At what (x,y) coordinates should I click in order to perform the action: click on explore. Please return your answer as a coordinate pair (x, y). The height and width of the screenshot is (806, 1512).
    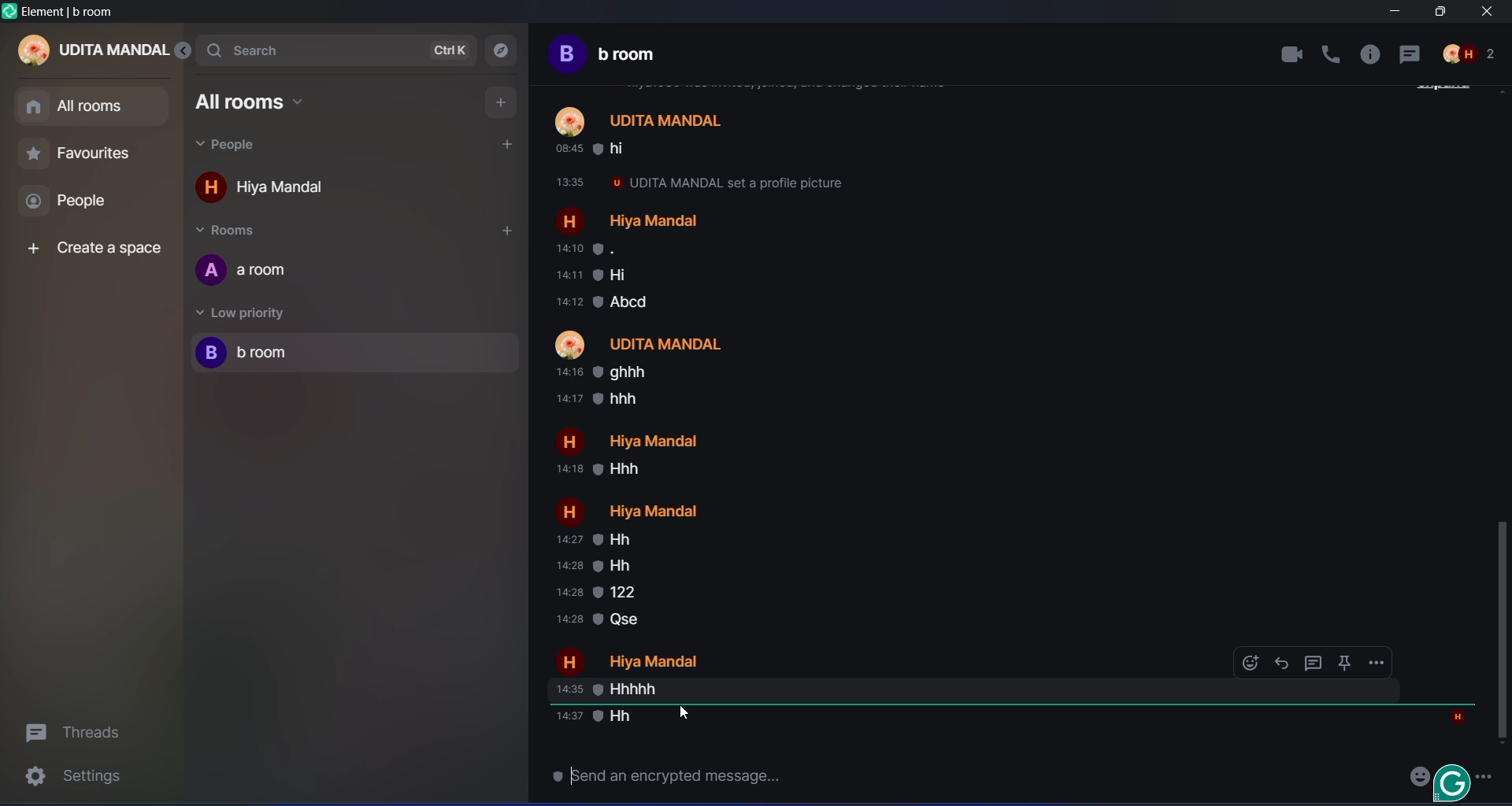
    Looking at the image, I should click on (502, 54).